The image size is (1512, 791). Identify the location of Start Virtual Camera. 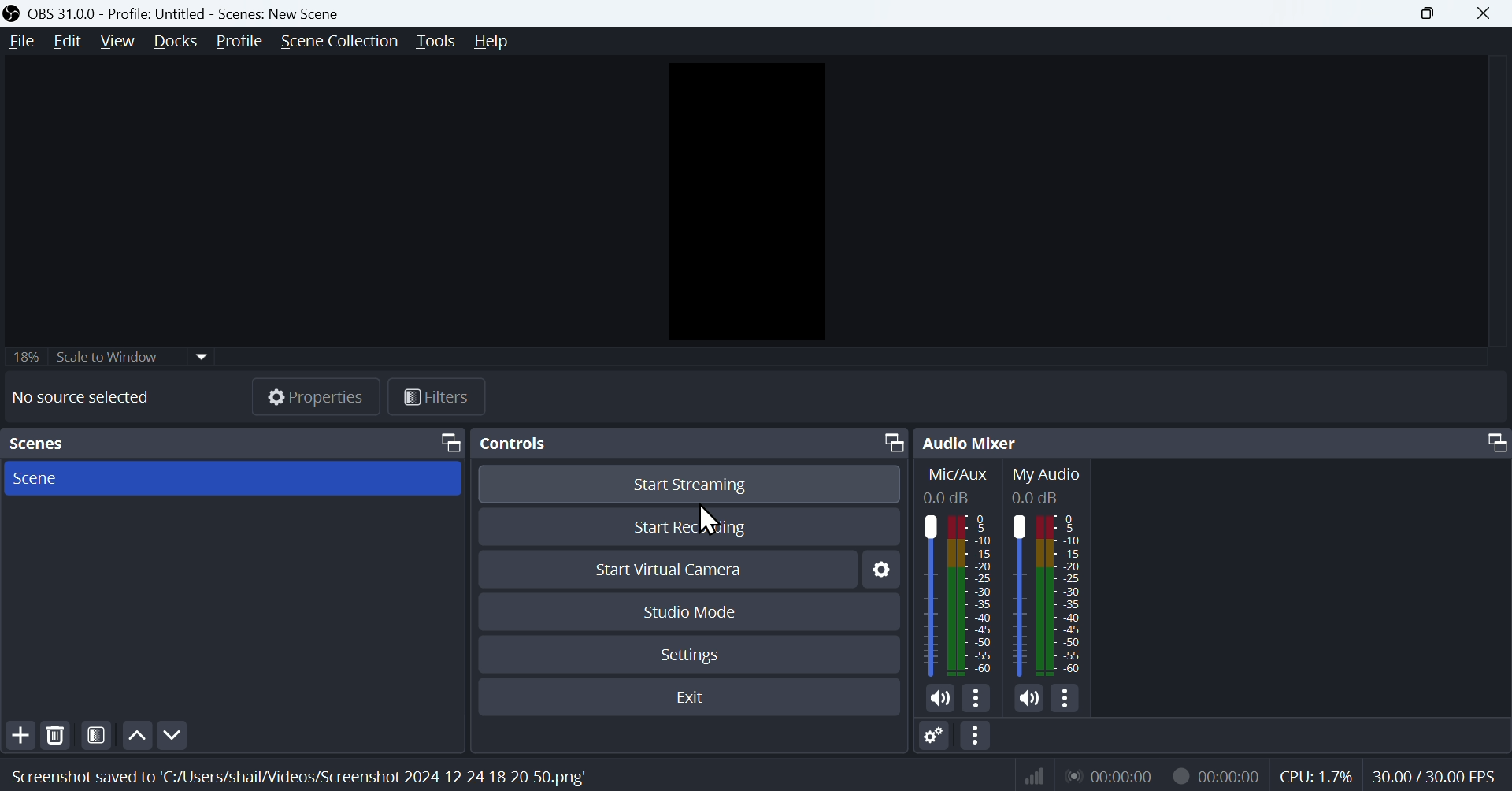
(670, 565).